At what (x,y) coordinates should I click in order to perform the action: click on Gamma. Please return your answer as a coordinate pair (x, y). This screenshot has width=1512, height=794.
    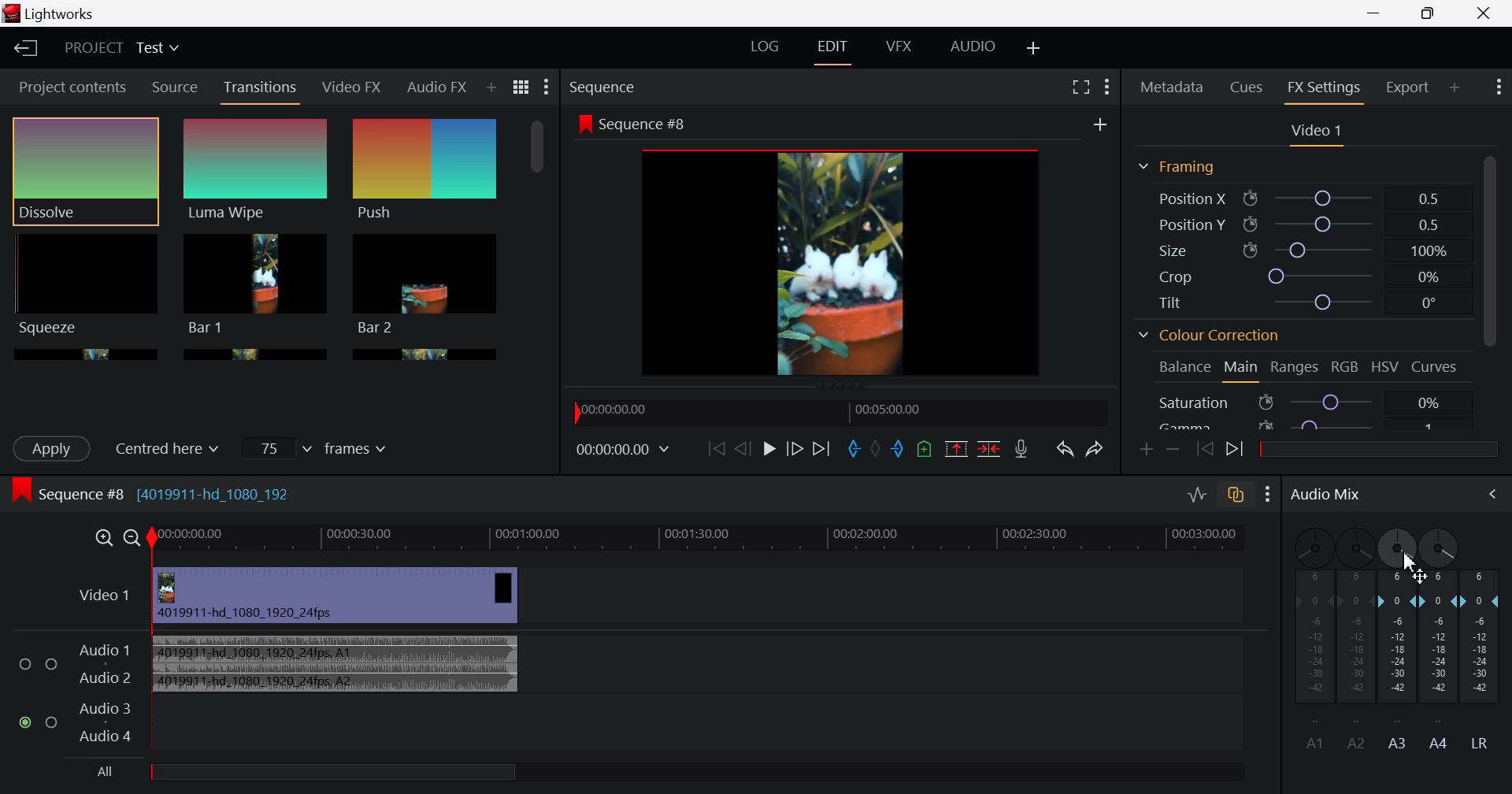
    Looking at the image, I should click on (1305, 425).